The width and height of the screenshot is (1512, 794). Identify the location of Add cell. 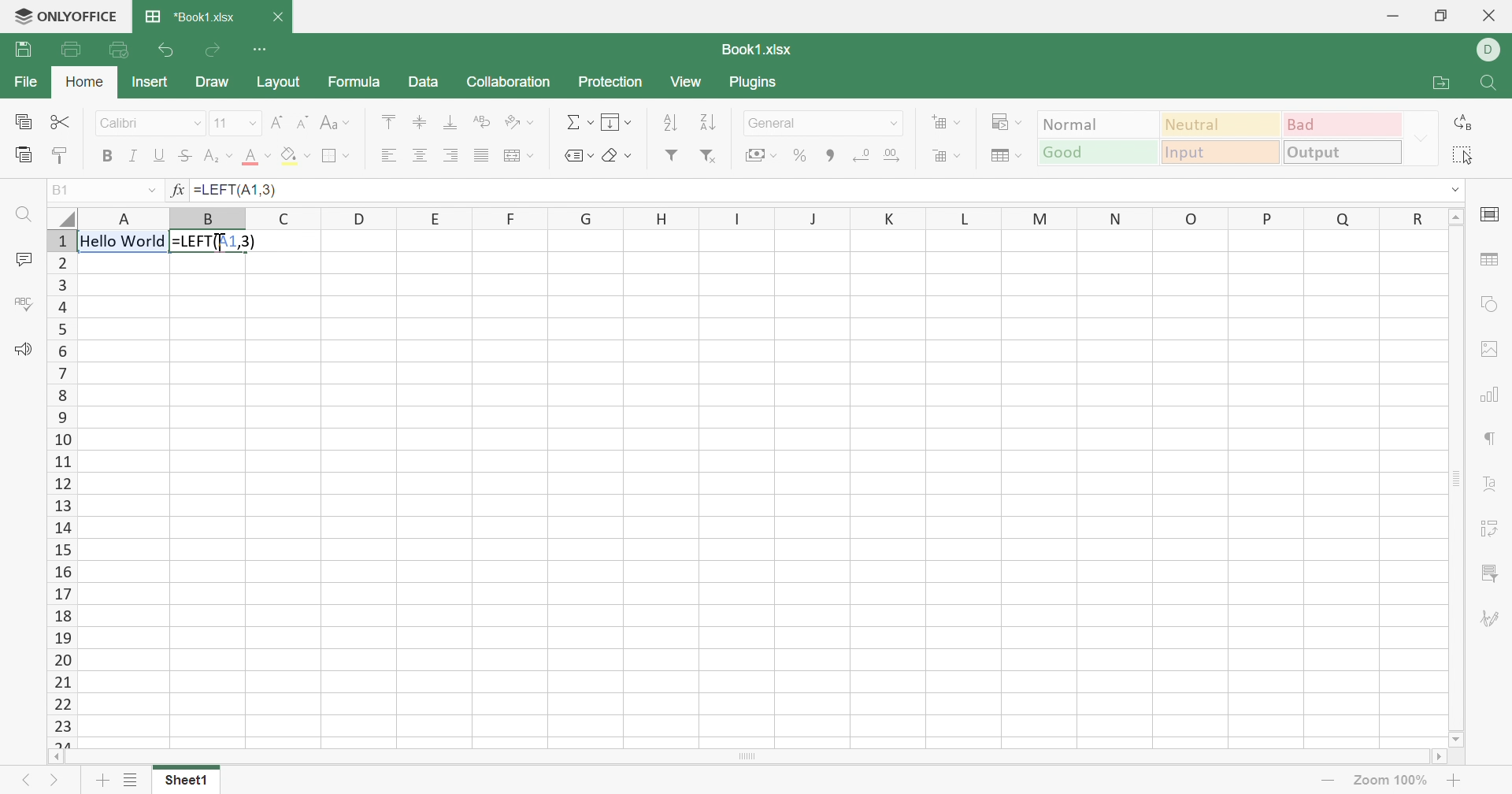
(949, 122).